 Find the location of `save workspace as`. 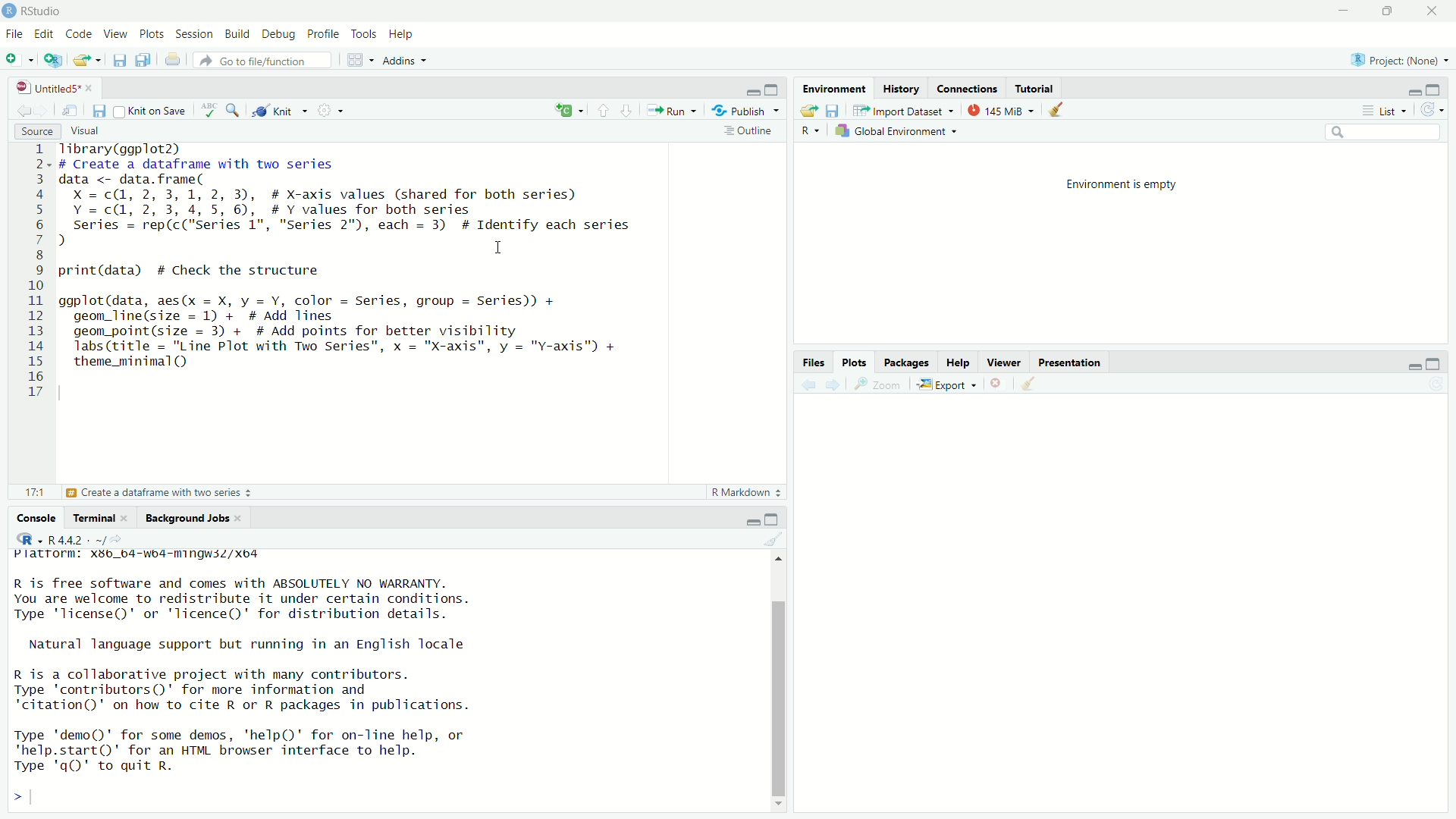

save workspace as is located at coordinates (833, 111).